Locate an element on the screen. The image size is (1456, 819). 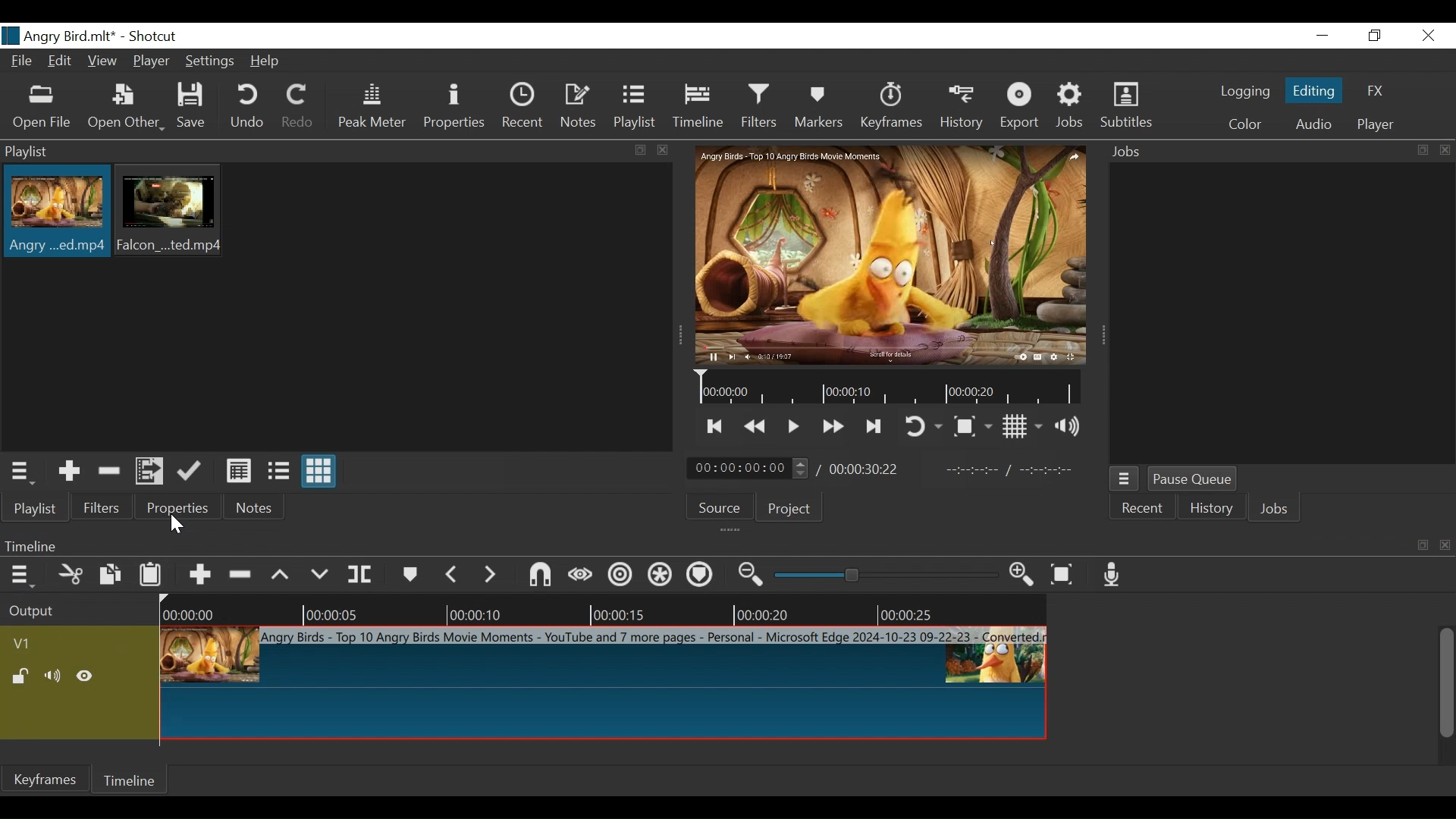
Update is located at coordinates (193, 471).